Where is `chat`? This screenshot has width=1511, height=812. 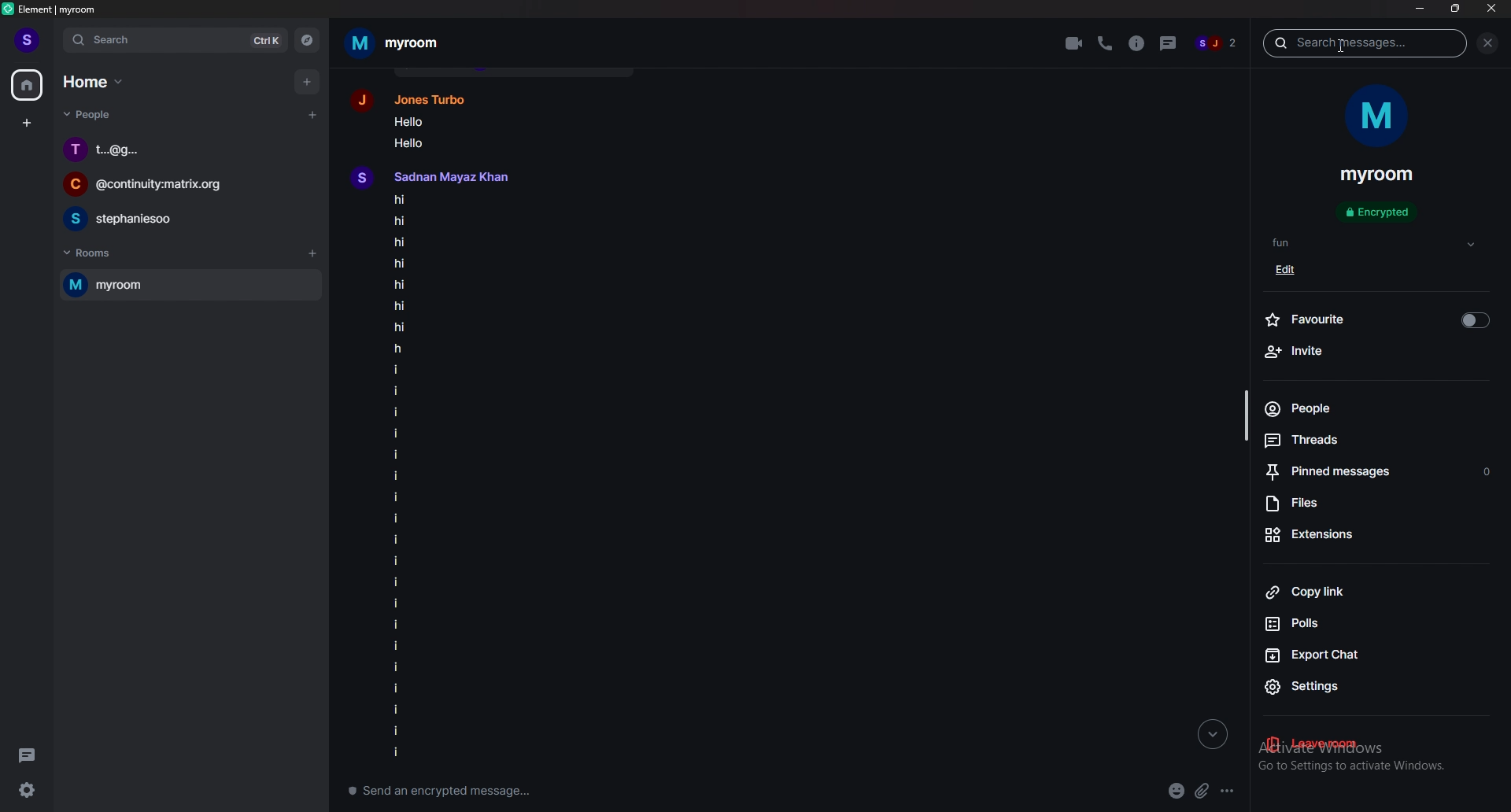
chat is located at coordinates (186, 150).